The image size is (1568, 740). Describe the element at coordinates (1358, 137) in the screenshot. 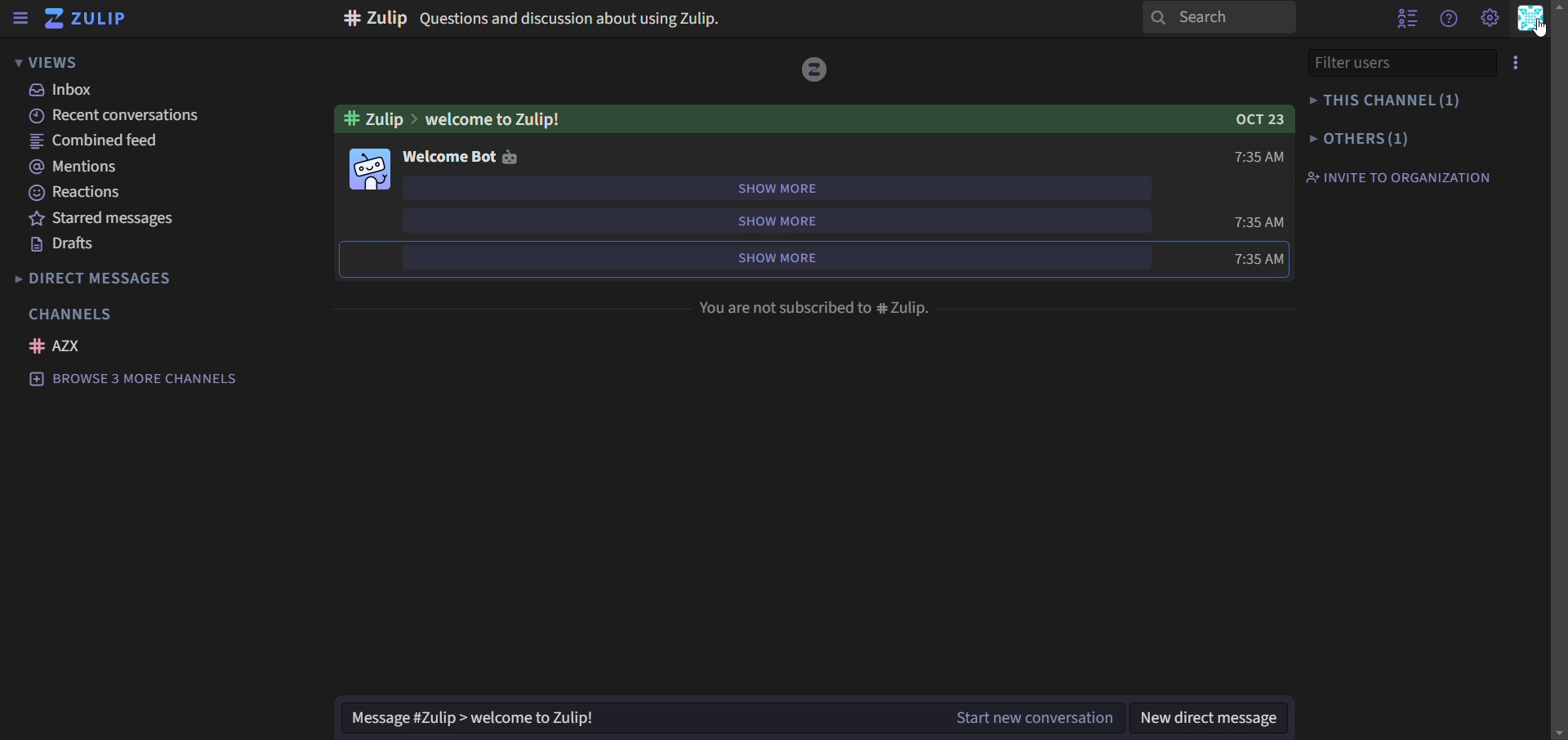

I see `others` at that location.